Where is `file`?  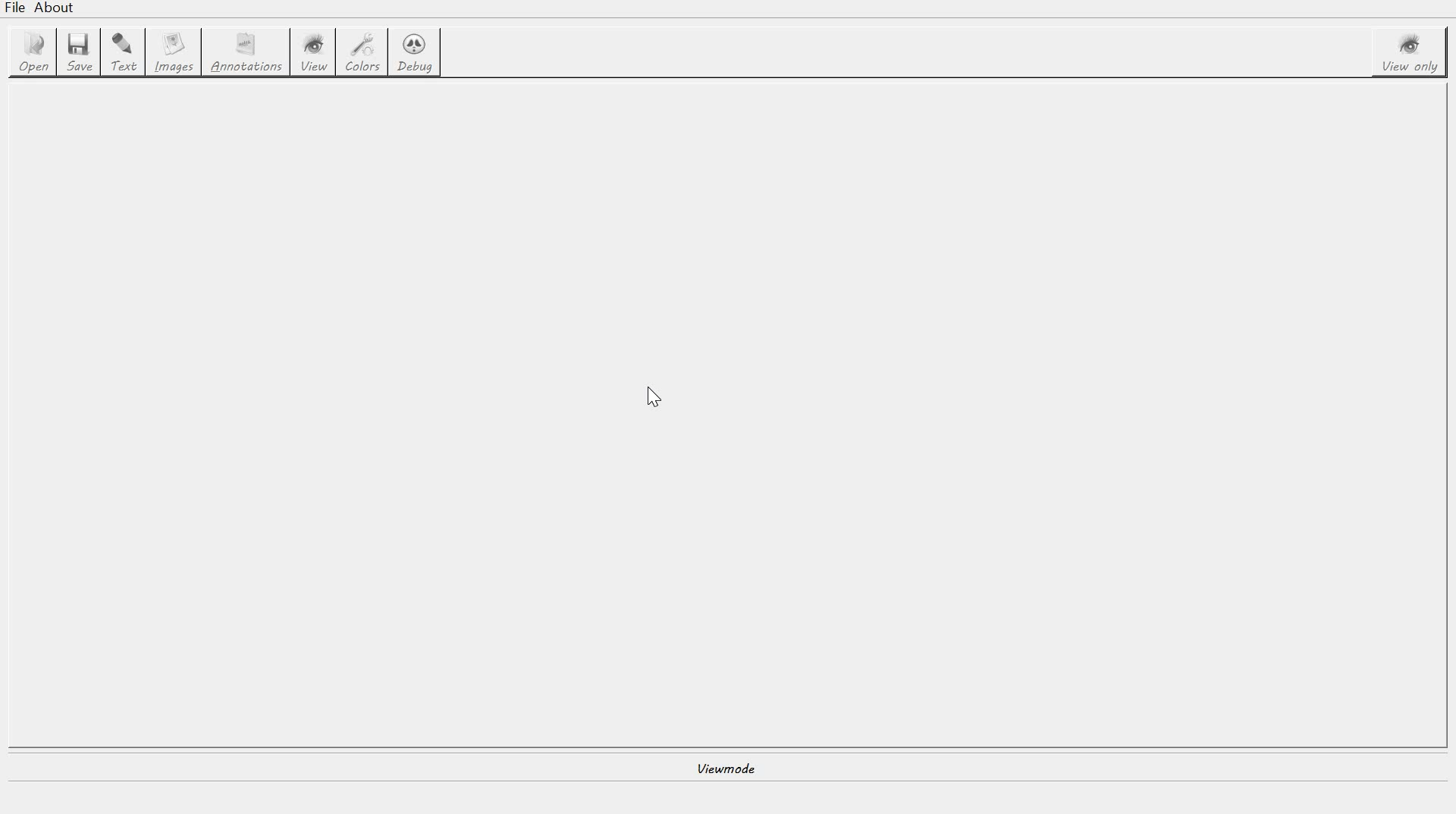 file is located at coordinates (17, 8).